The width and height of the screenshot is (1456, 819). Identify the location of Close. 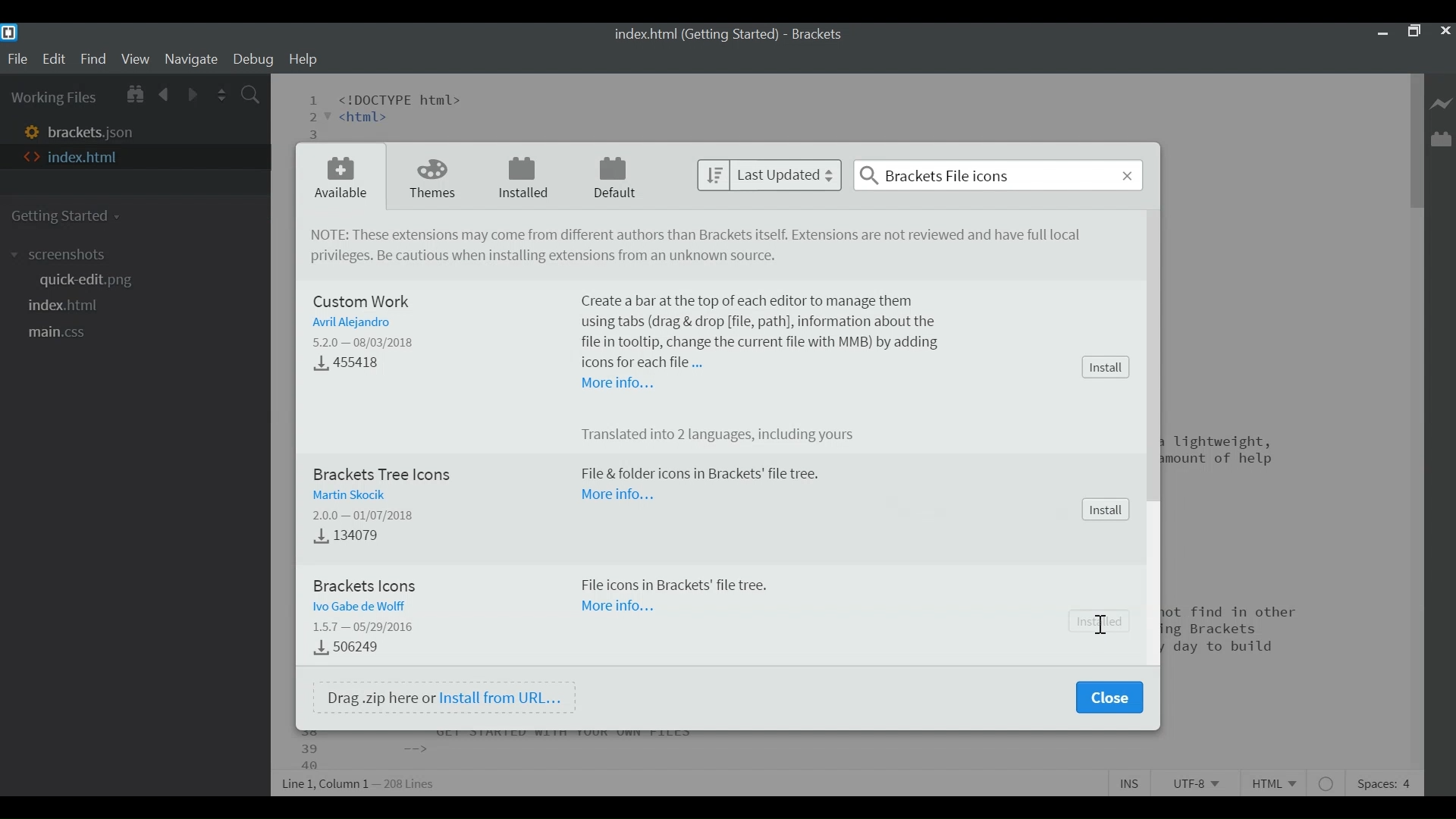
(1109, 698).